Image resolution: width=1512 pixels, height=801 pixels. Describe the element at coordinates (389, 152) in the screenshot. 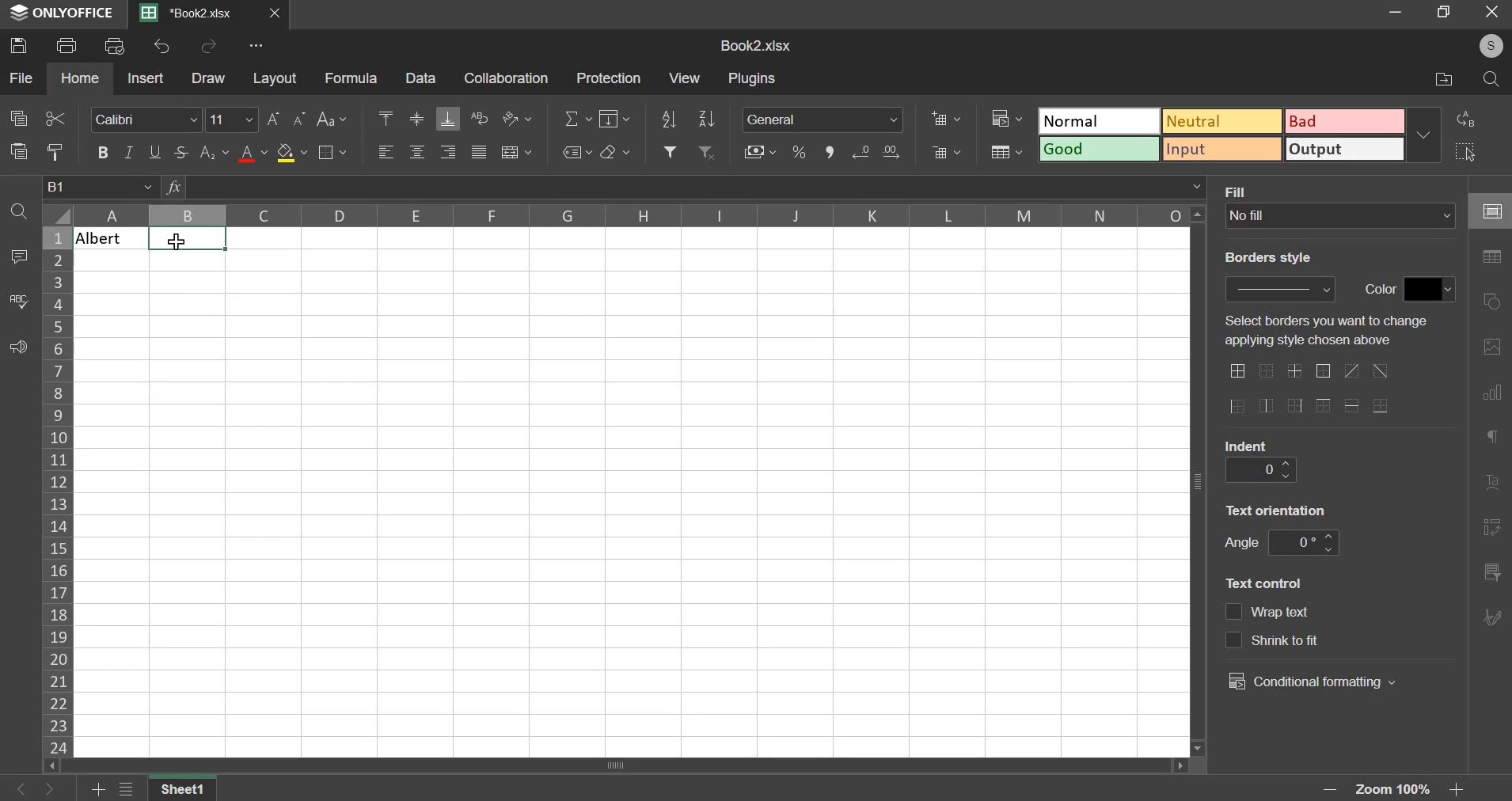

I see `align left` at that location.